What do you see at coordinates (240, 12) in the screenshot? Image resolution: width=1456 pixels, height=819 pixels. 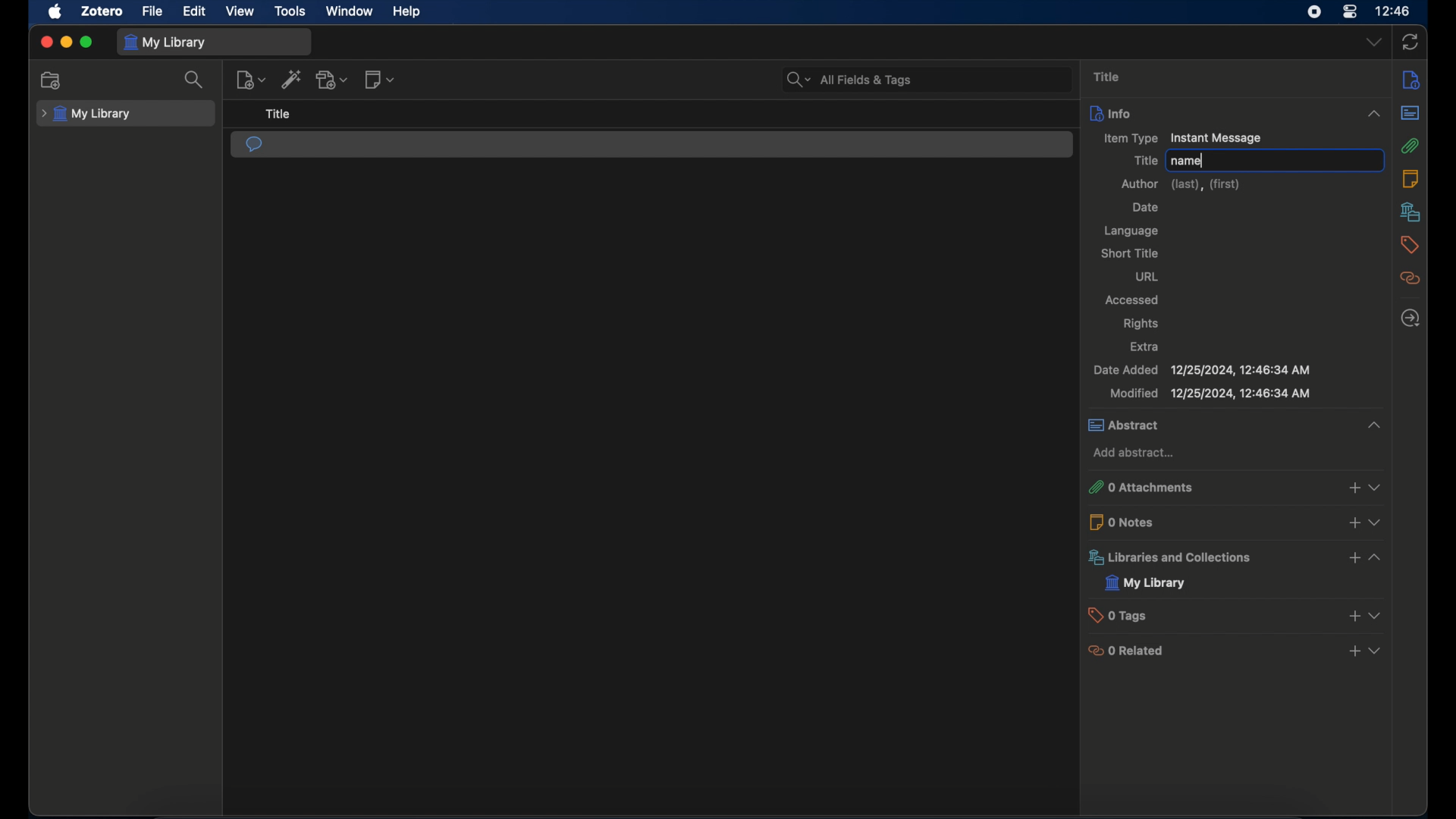 I see `view` at bounding box center [240, 12].